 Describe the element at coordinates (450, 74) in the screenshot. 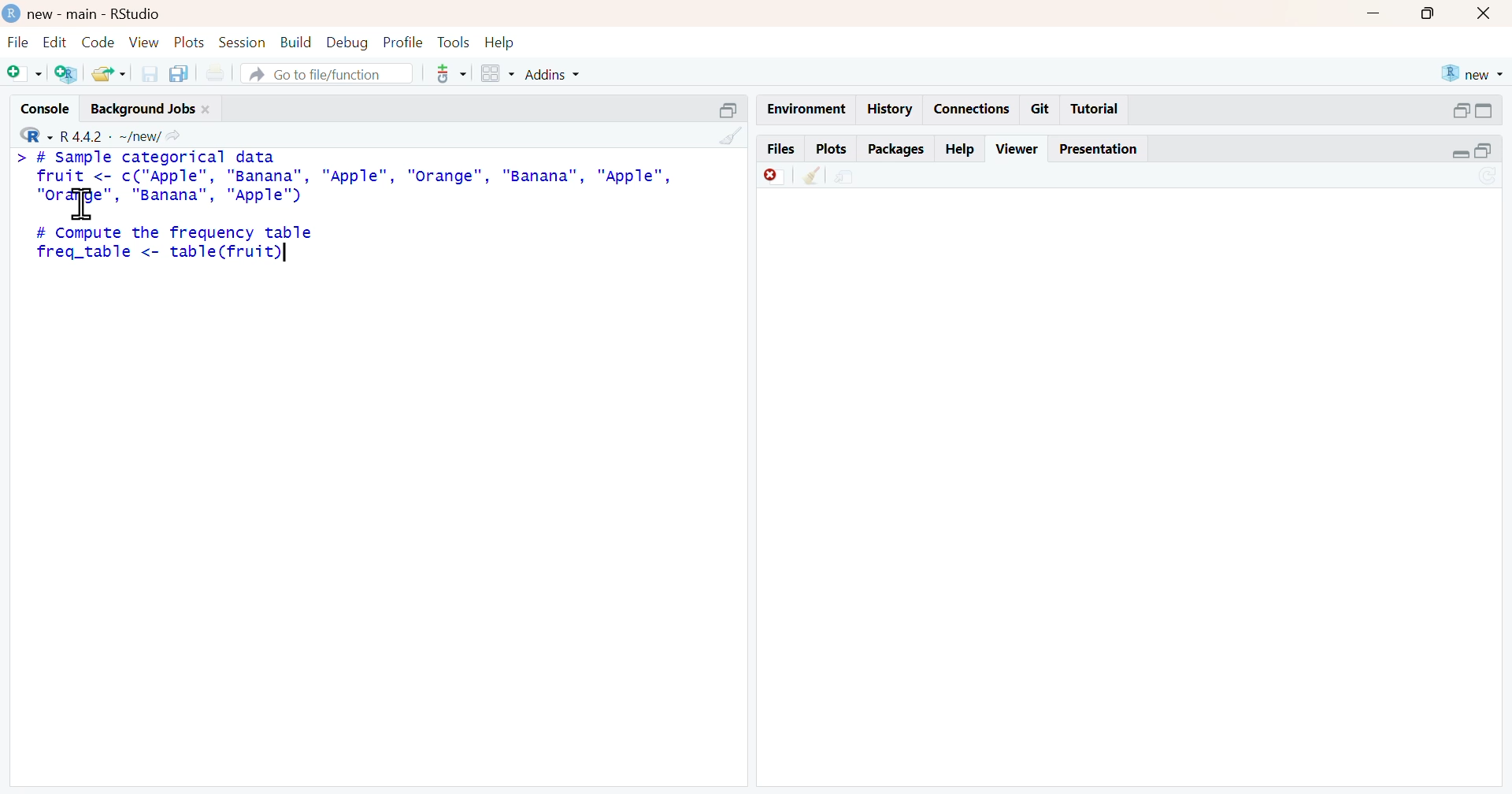

I see `code tools` at that location.